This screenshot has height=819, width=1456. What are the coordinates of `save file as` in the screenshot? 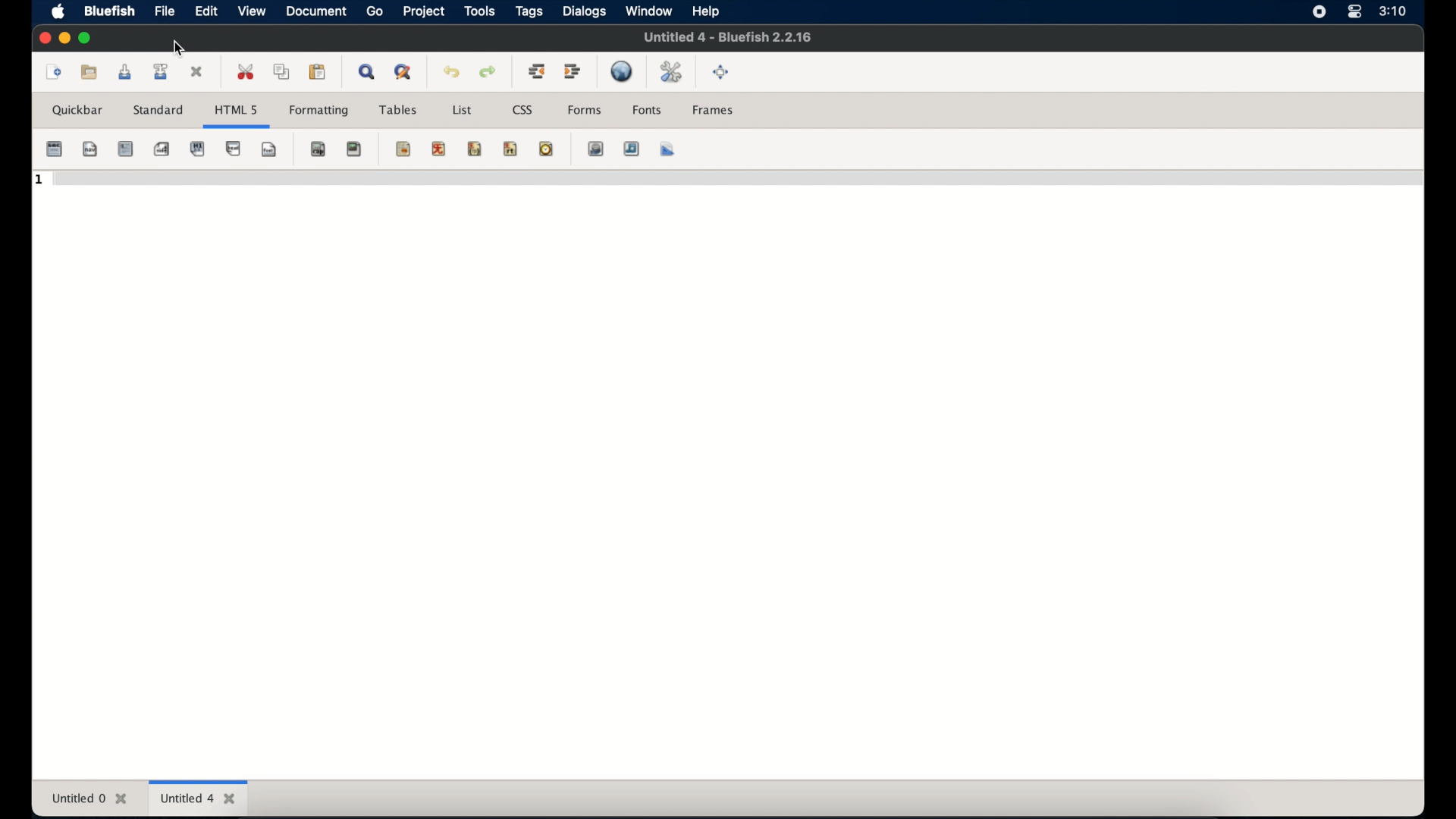 It's located at (161, 71).